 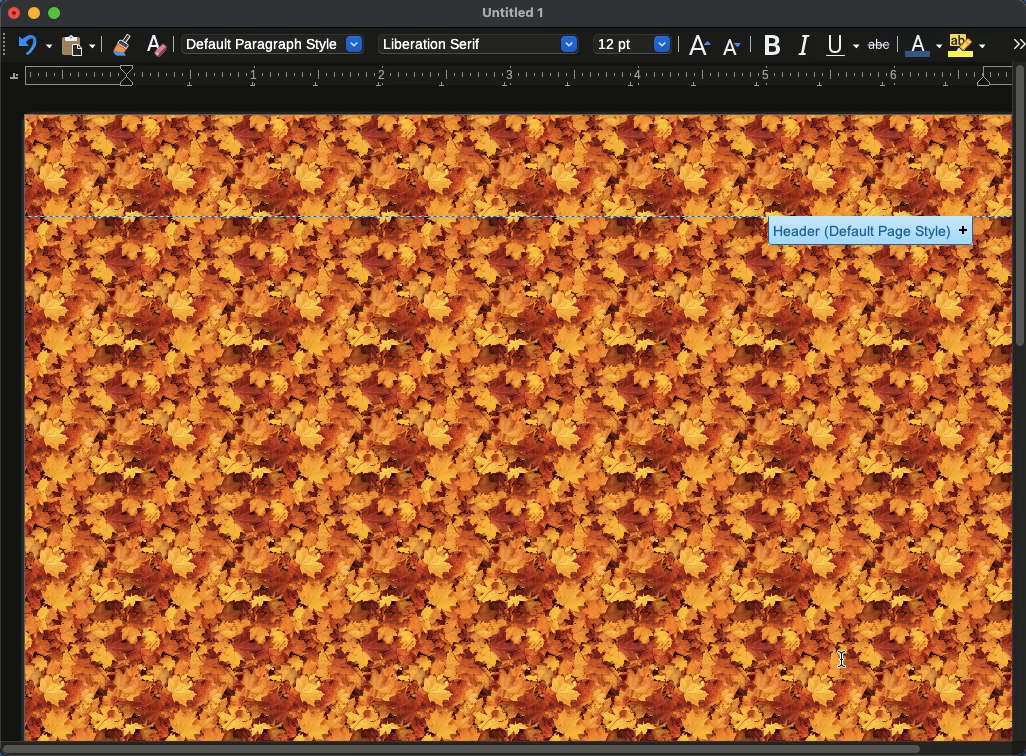 What do you see at coordinates (730, 48) in the screenshot?
I see `decrease size` at bounding box center [730, 48].